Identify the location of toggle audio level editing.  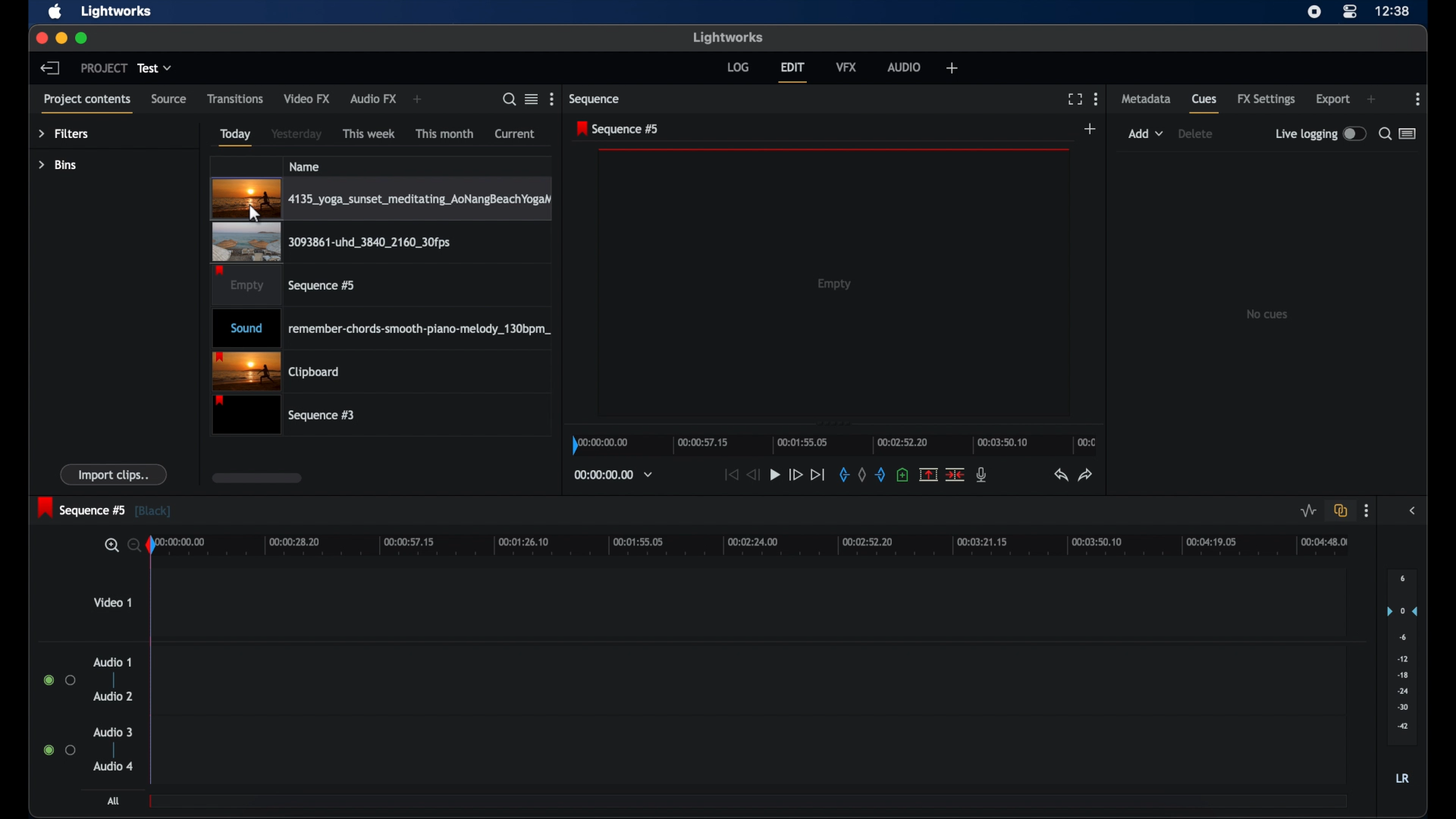
(1309, 511).